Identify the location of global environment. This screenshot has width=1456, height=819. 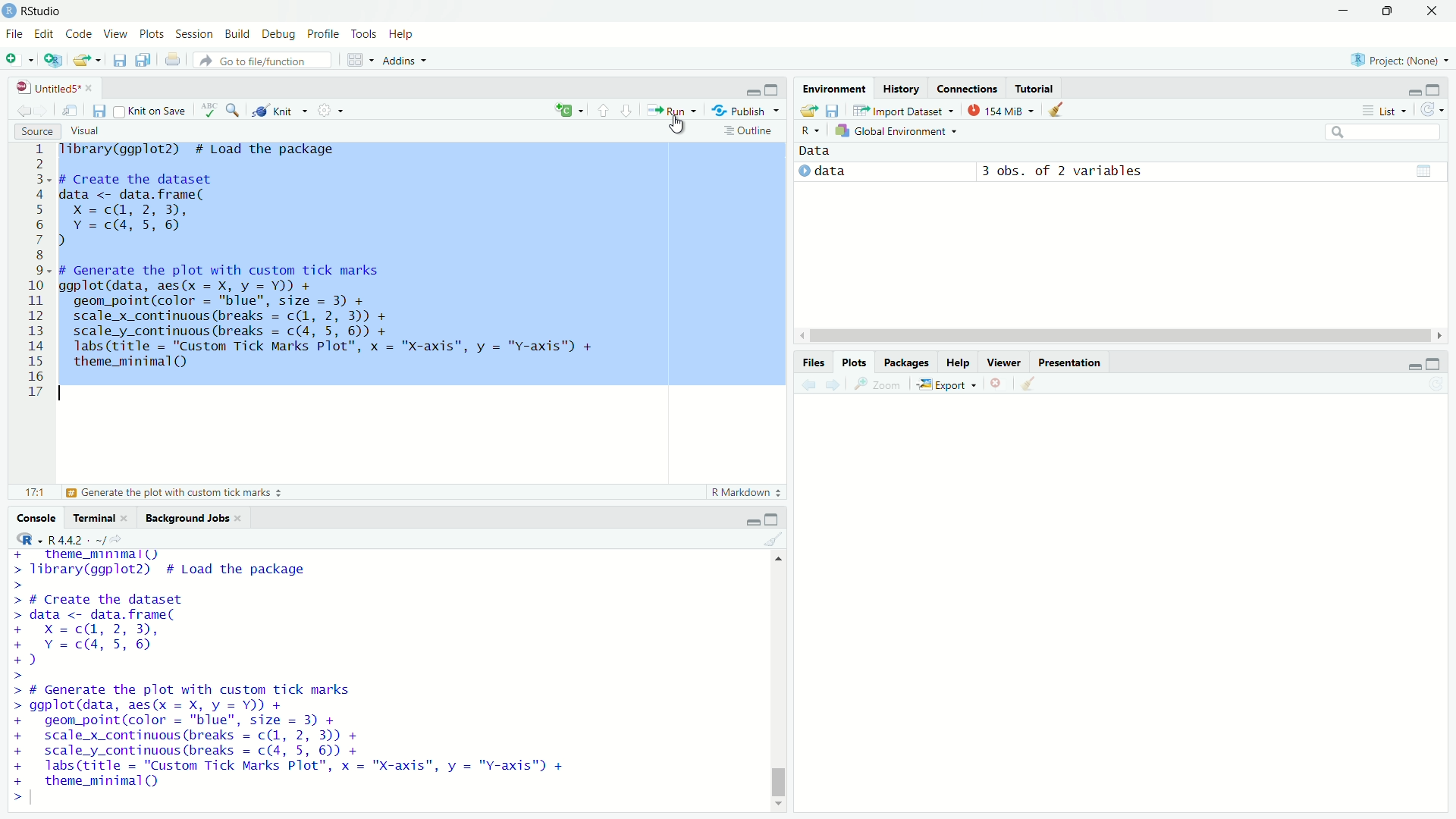
(896, 132).